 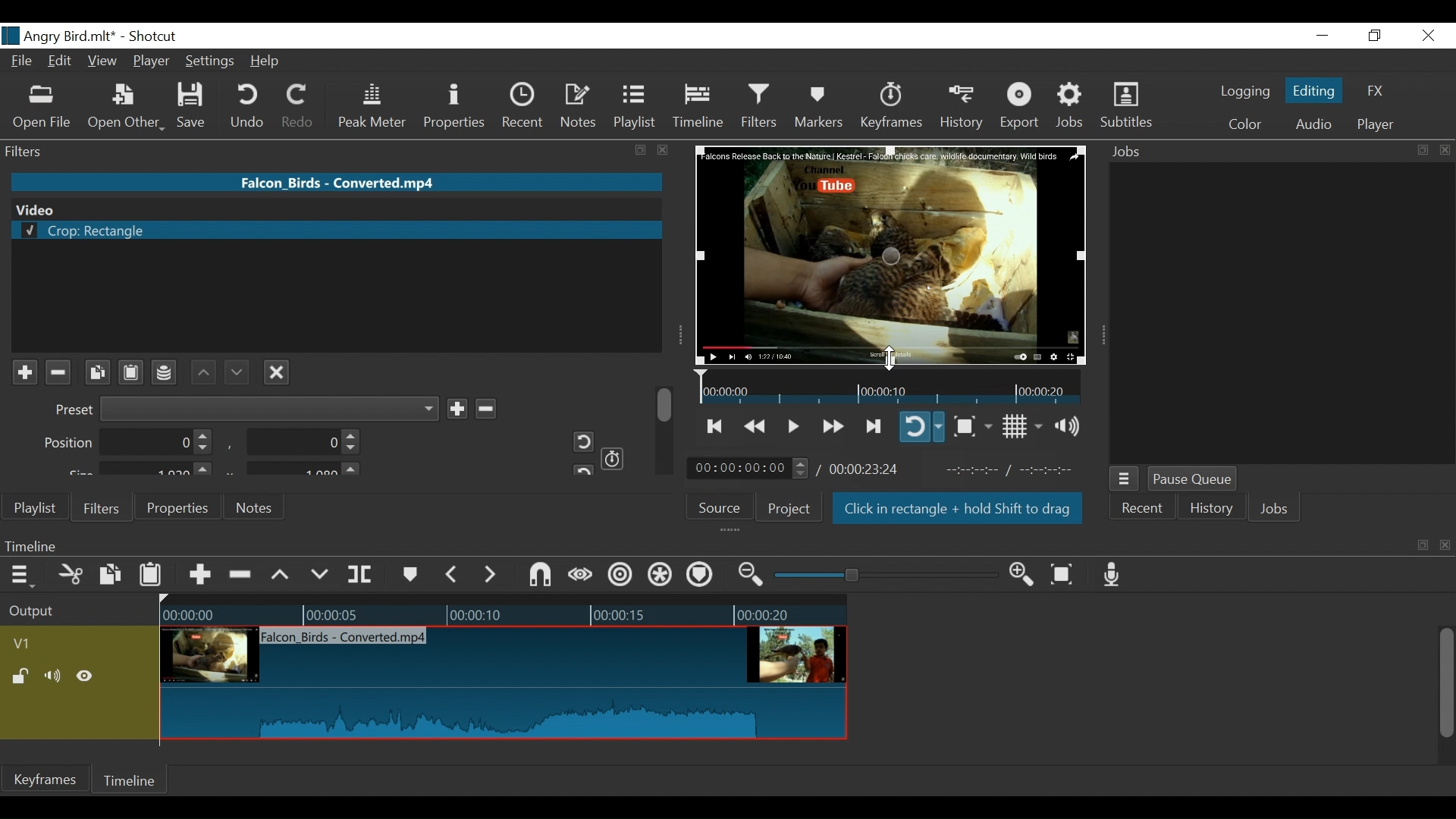 I want to click on Properties, so click(x=175, y=507).